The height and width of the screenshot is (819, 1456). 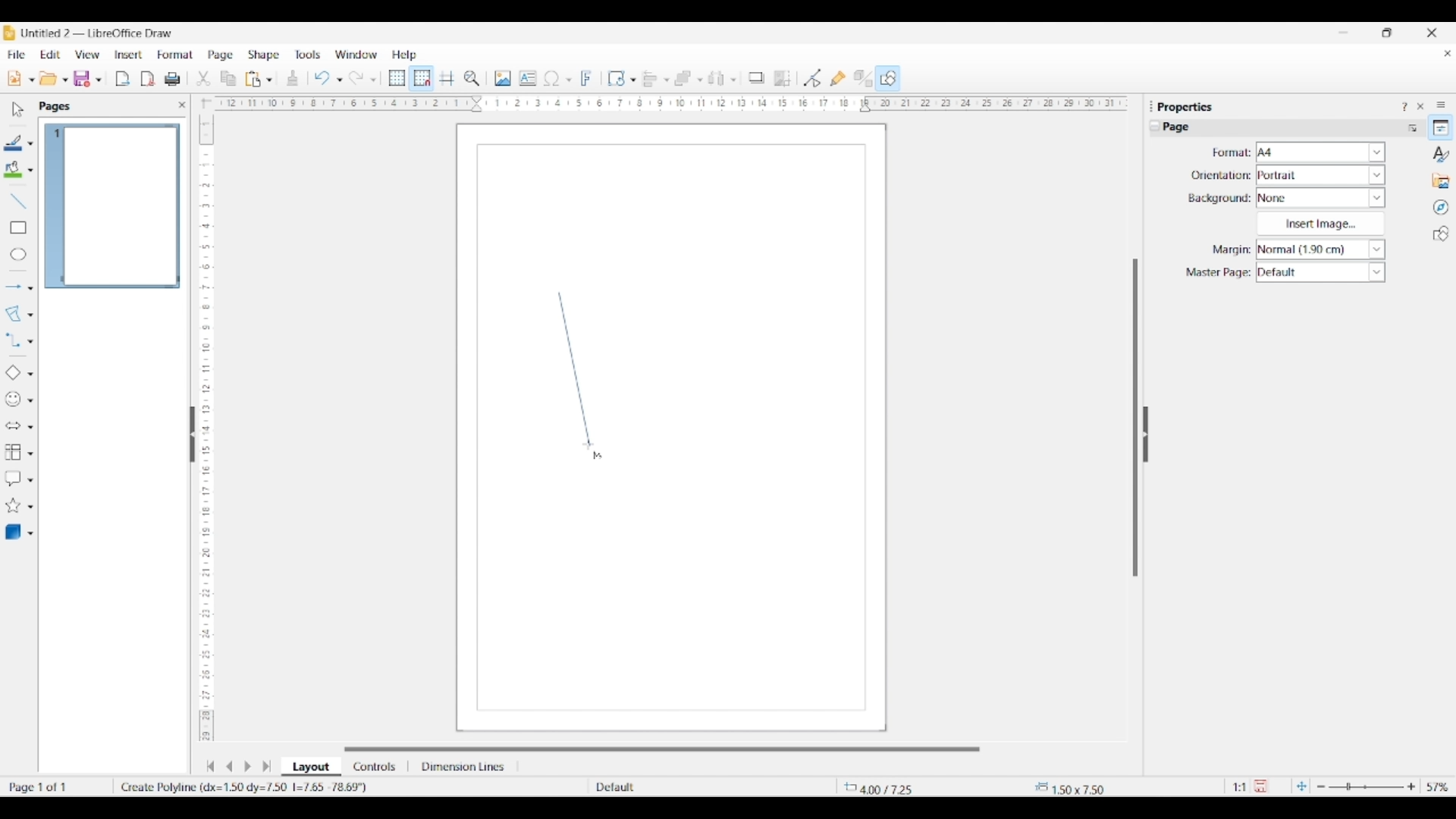 I want to click on Sidebar settings, so click(x=1441, y=104).